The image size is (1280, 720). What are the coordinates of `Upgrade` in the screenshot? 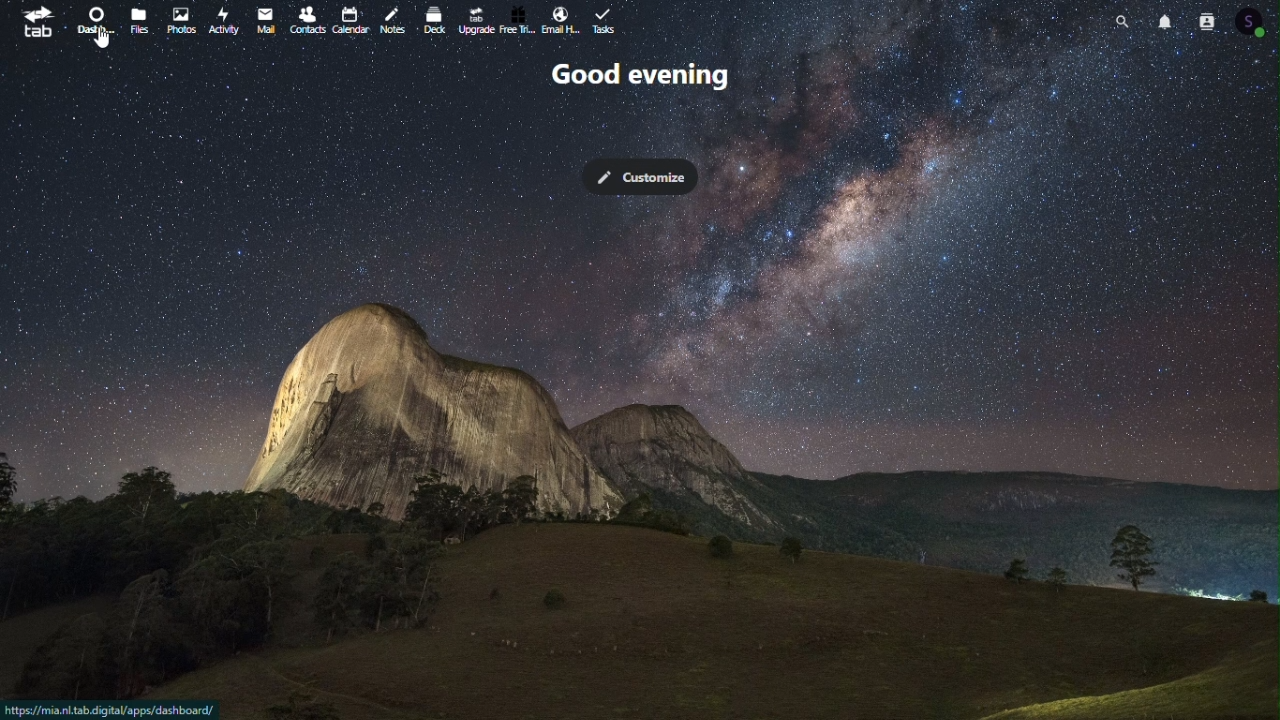 It's located at (476, 20).